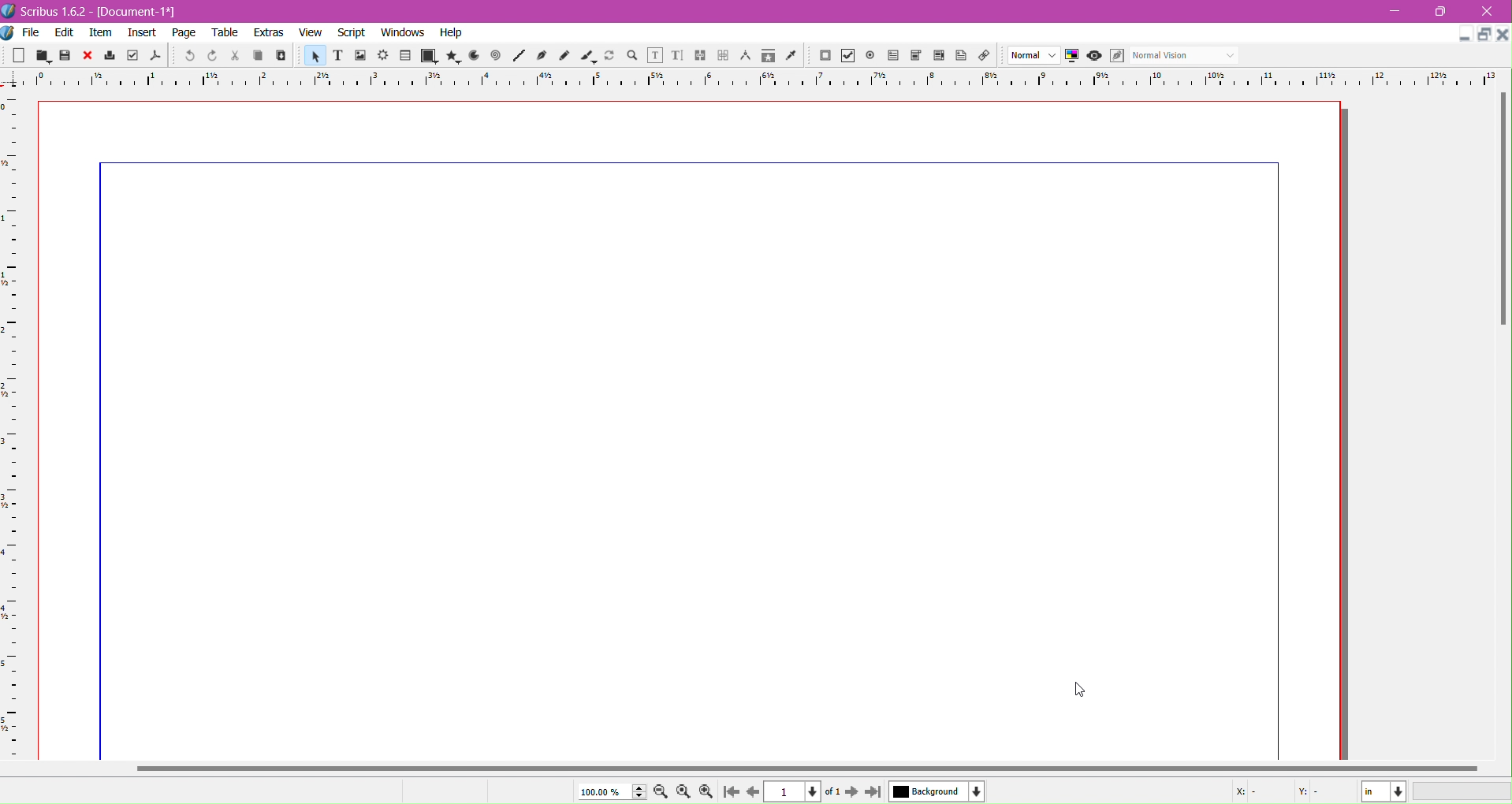 The width and height of the screenshot is (1512, 804). I want to click on link annotations, so click(988, 56).